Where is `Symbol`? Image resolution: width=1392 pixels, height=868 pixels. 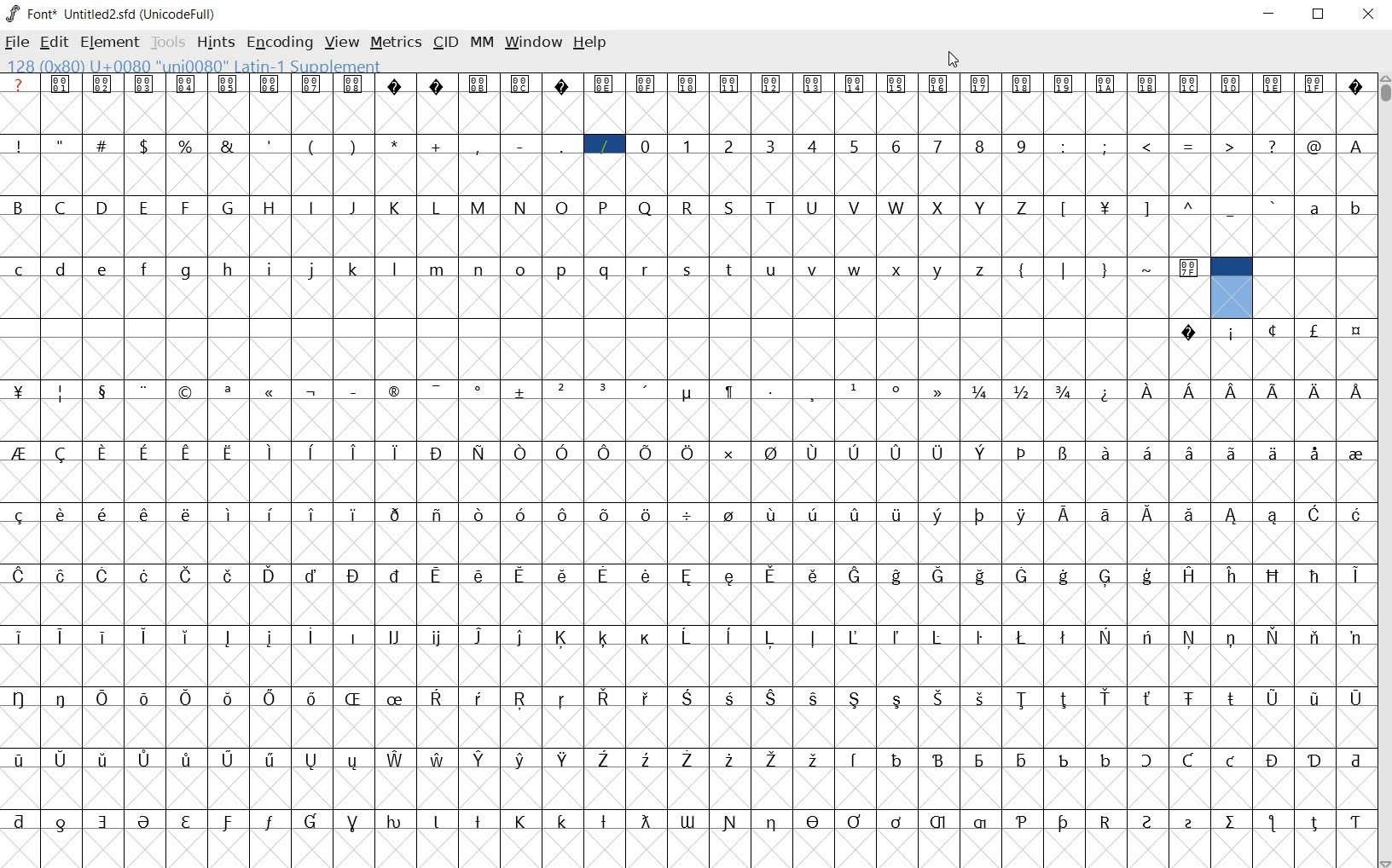
Symbol is located at coordinates (856, 821).